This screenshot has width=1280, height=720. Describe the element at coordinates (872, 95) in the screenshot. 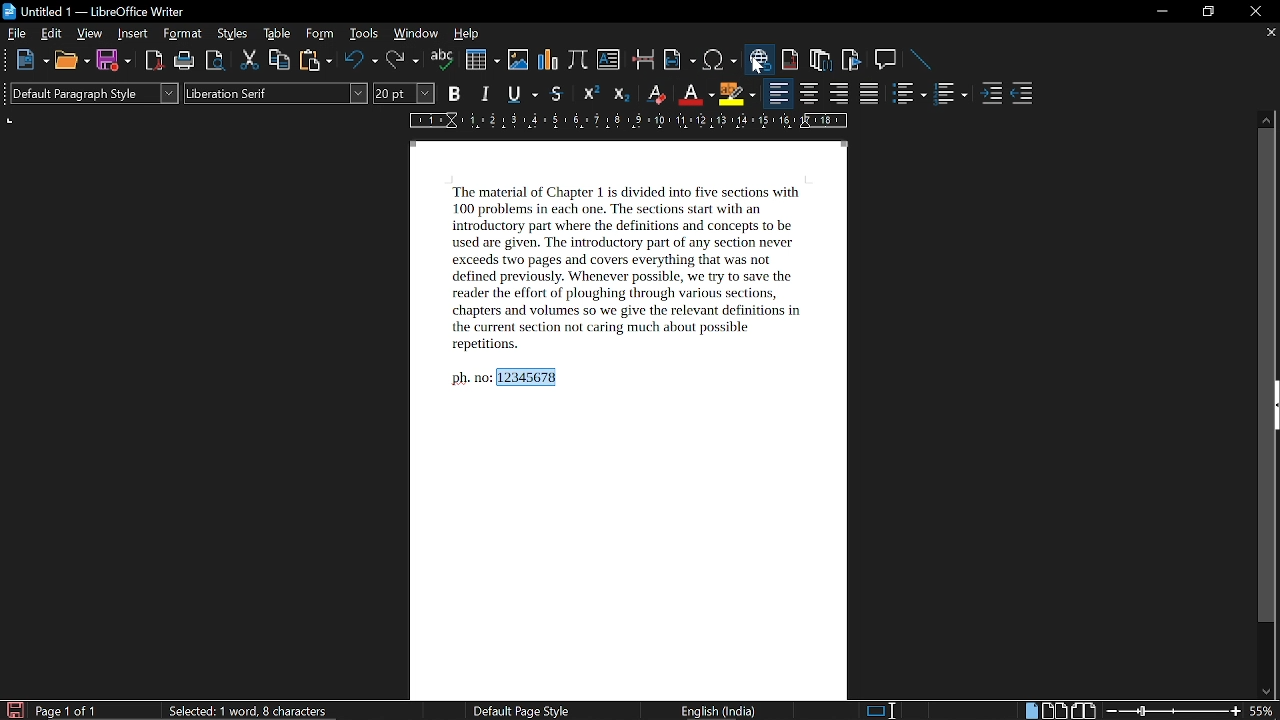

I see `justified` at that location.